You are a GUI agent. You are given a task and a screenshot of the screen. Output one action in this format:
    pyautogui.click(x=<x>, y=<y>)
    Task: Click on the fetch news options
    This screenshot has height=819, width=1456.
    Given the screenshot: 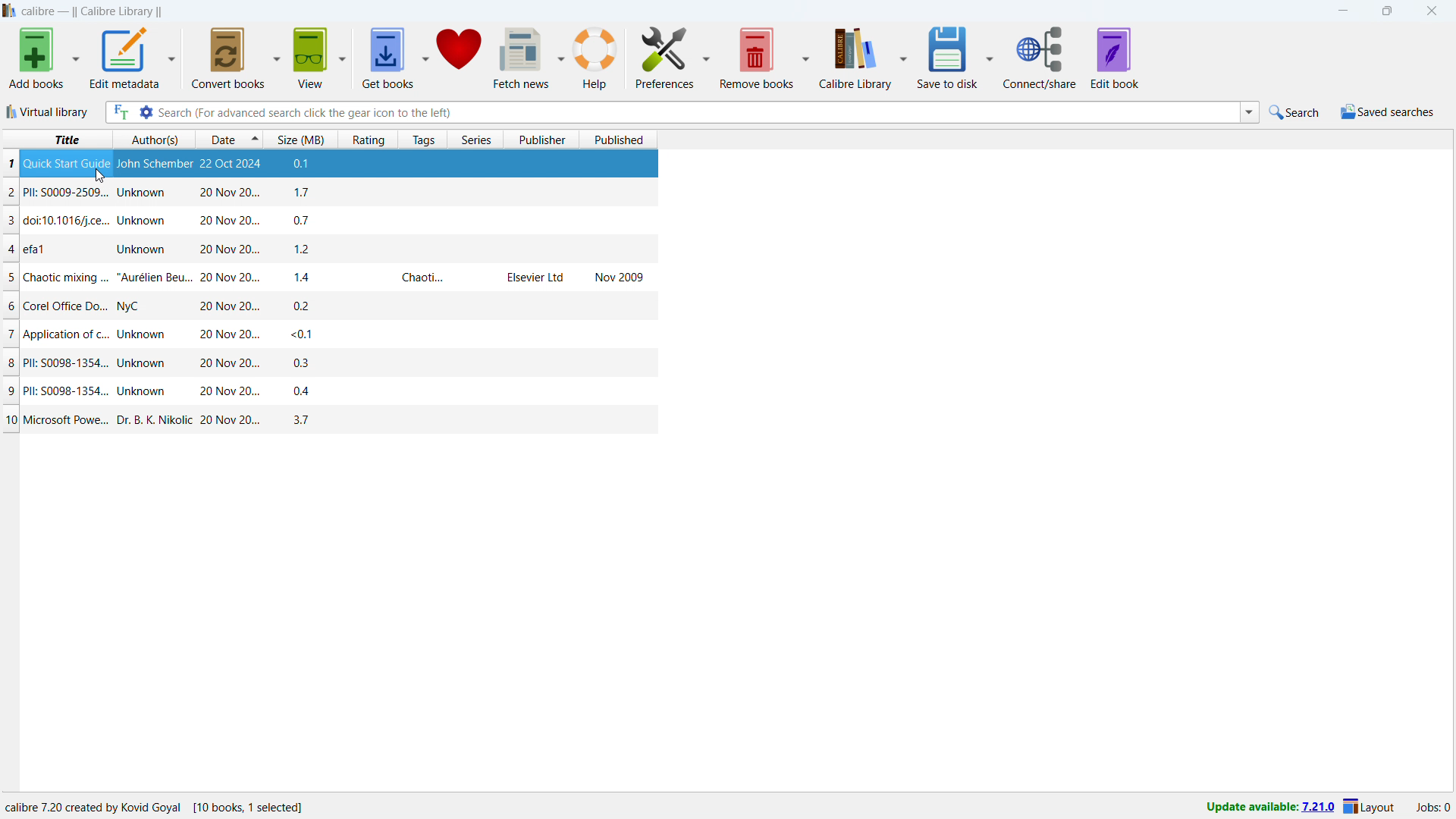 What is the action you would take?
    pyautogui.click(x=560, y=56)
    